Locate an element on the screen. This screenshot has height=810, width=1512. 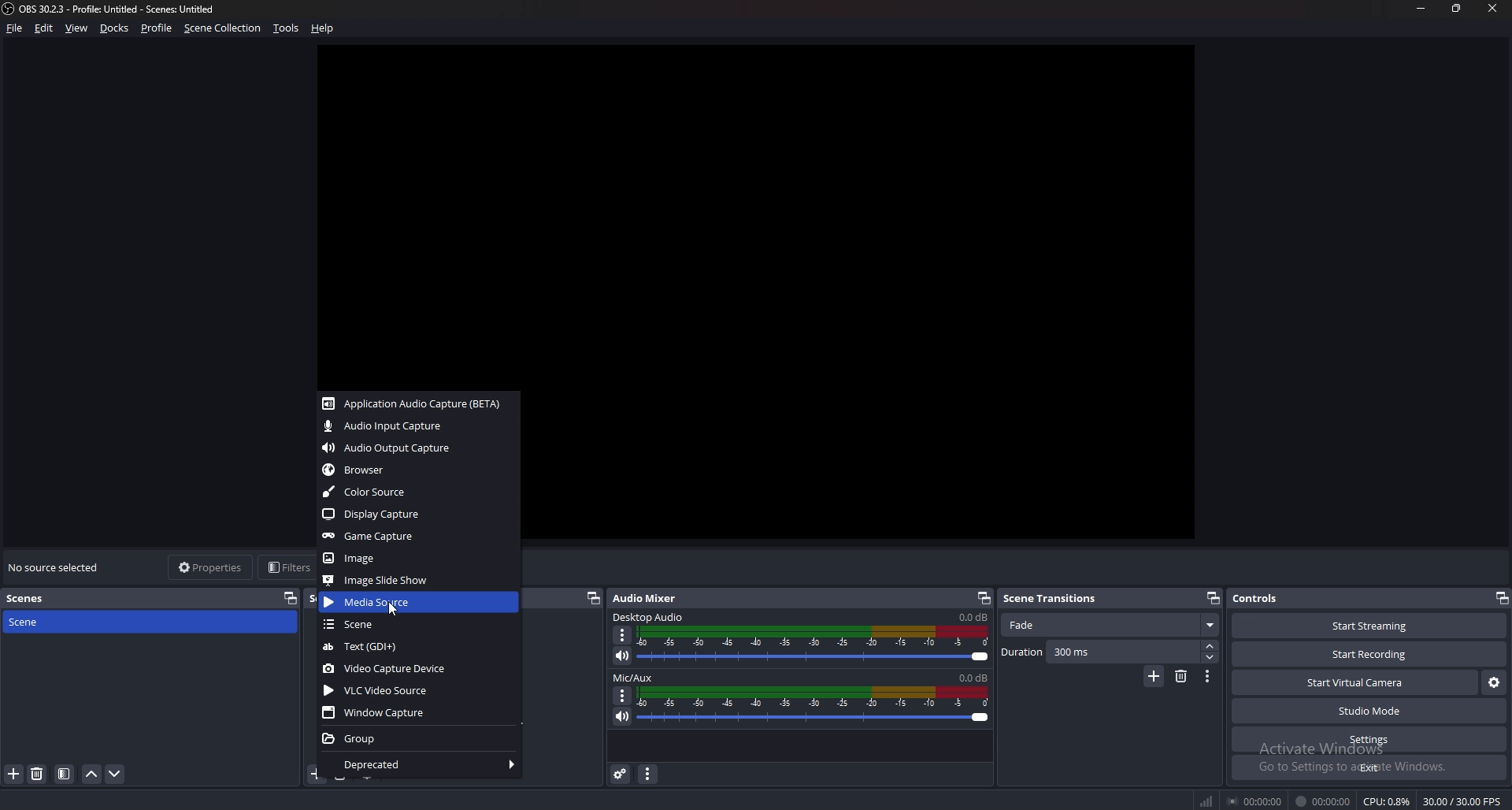
Audio mixer is located at coordinates (646, 599).